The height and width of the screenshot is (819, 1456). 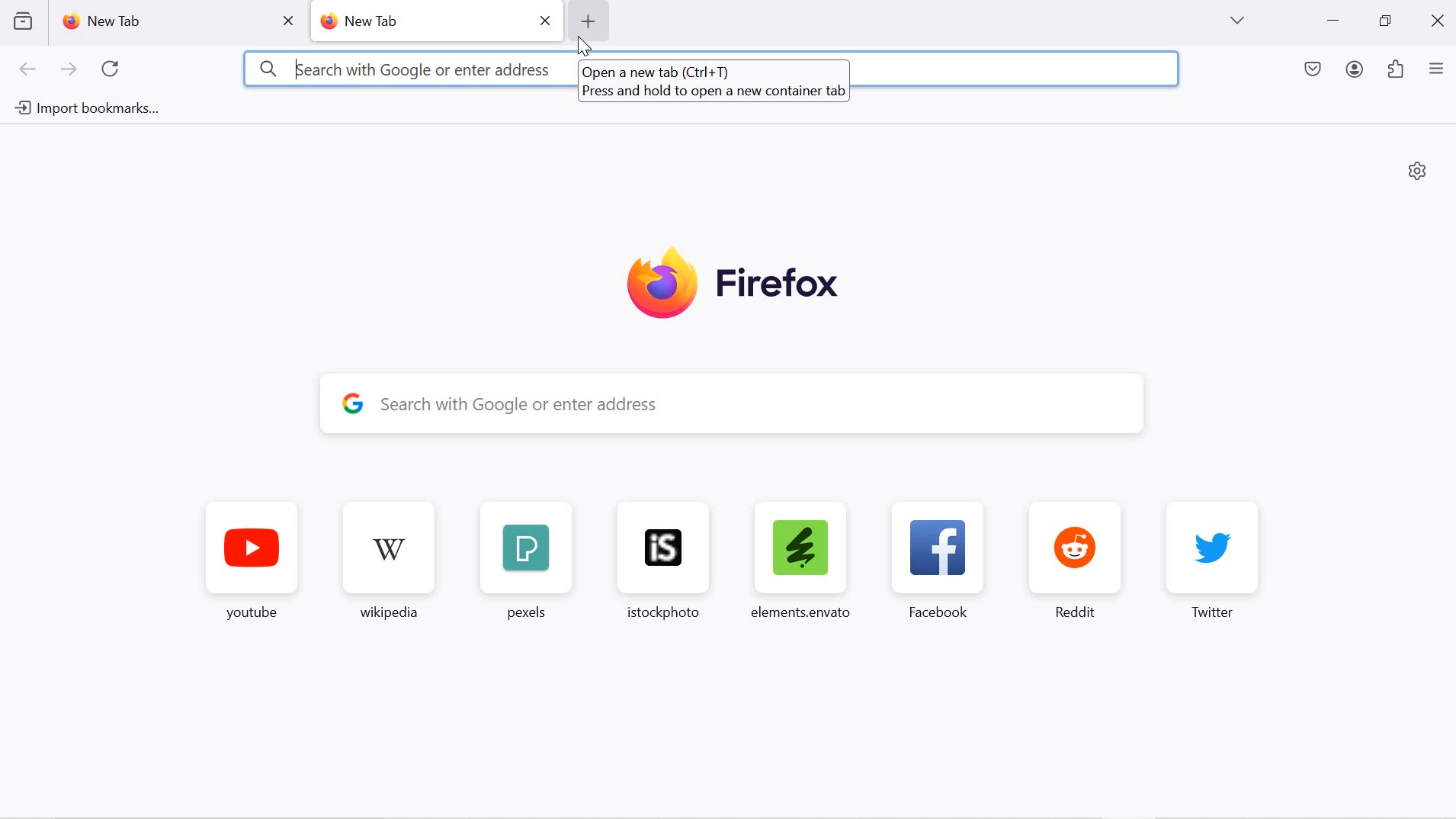 I want to click on restore down, so click(x=1384, y=21).